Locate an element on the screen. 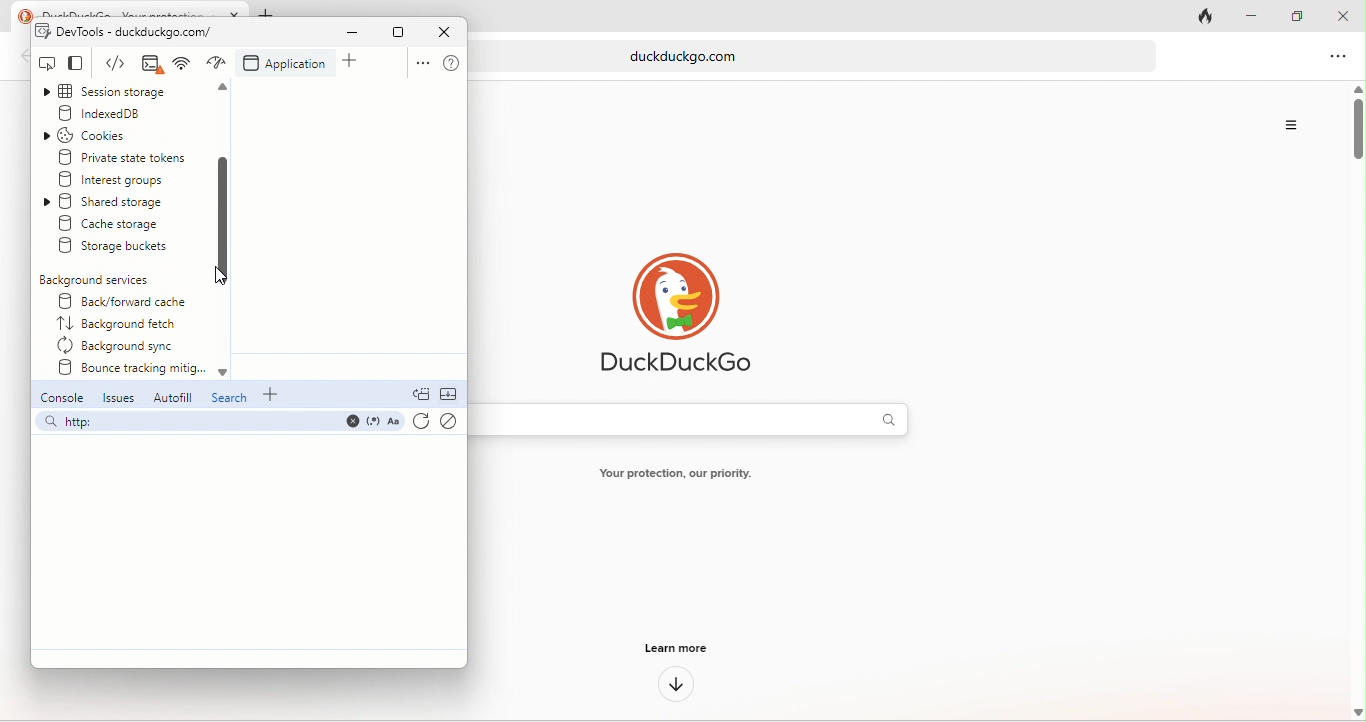 This screenshot has width=1366, height=722. issues is located at coordinates (119, 399).